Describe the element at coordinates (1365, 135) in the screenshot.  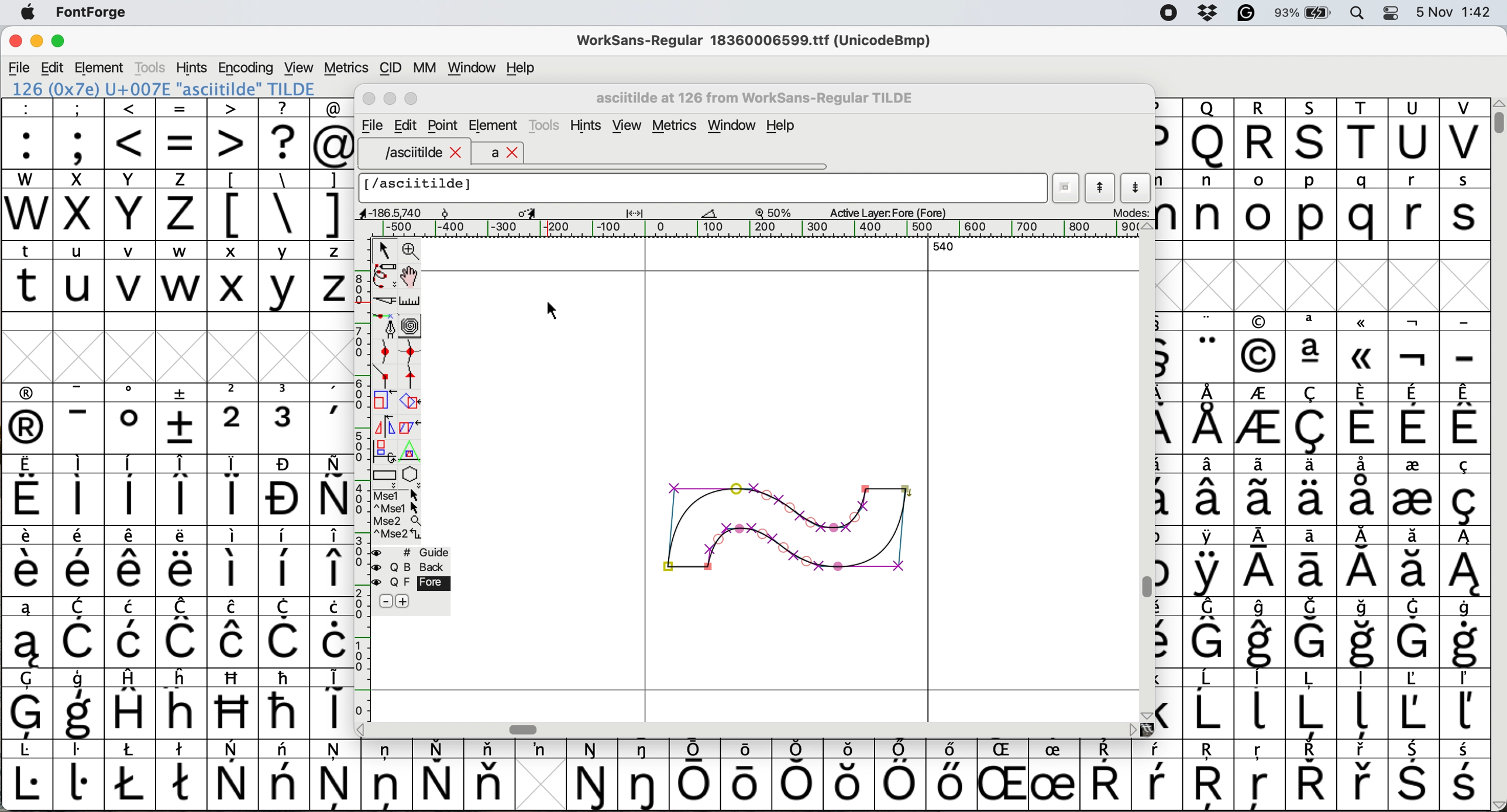
I see `T` at that location.